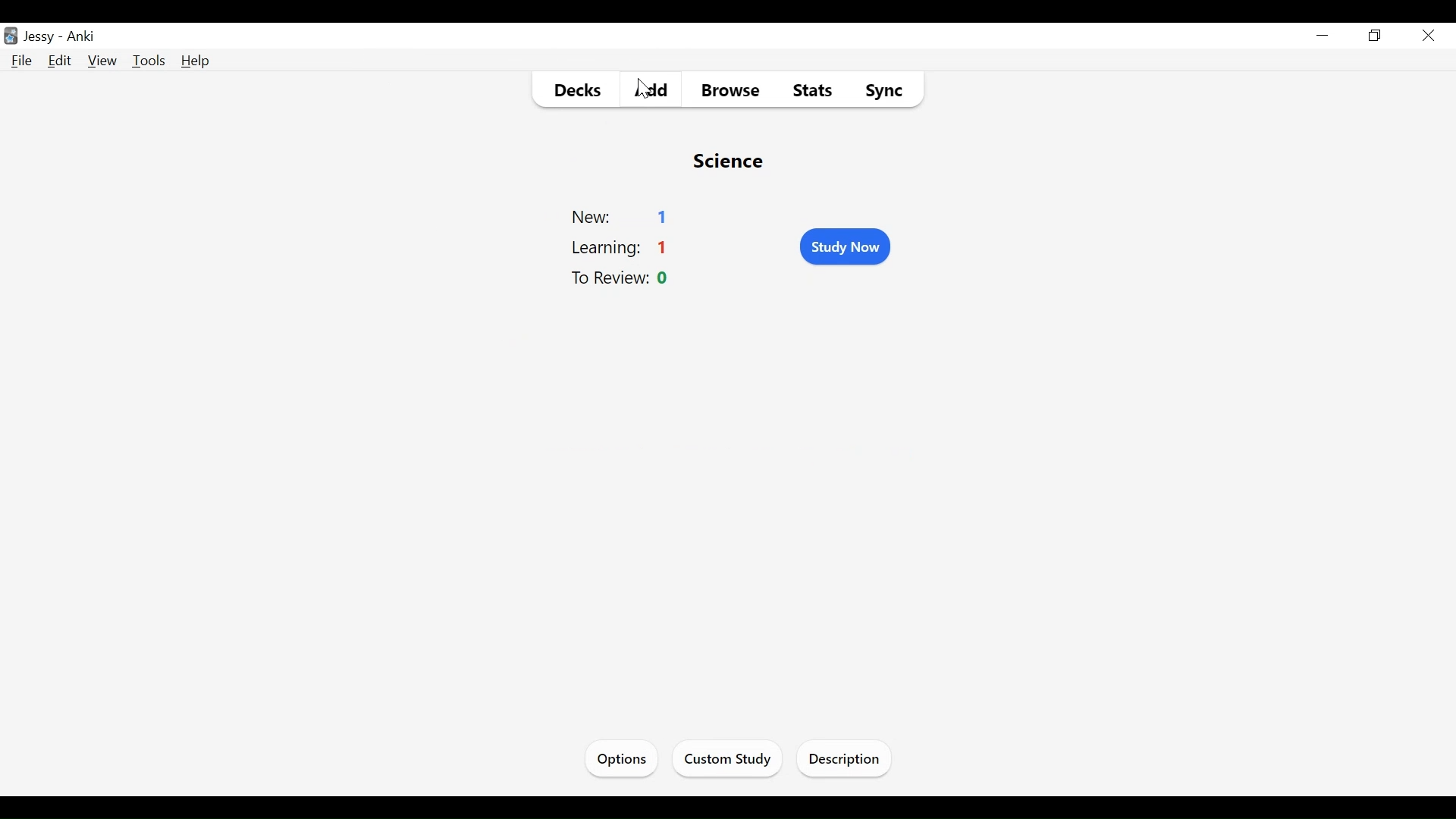 Image resolution: width=1456 pixels, height=819 pixels. What do you see at coordinates (81, 37) in the screenshot?
I see `Anki` at bounding box center [81, 37].